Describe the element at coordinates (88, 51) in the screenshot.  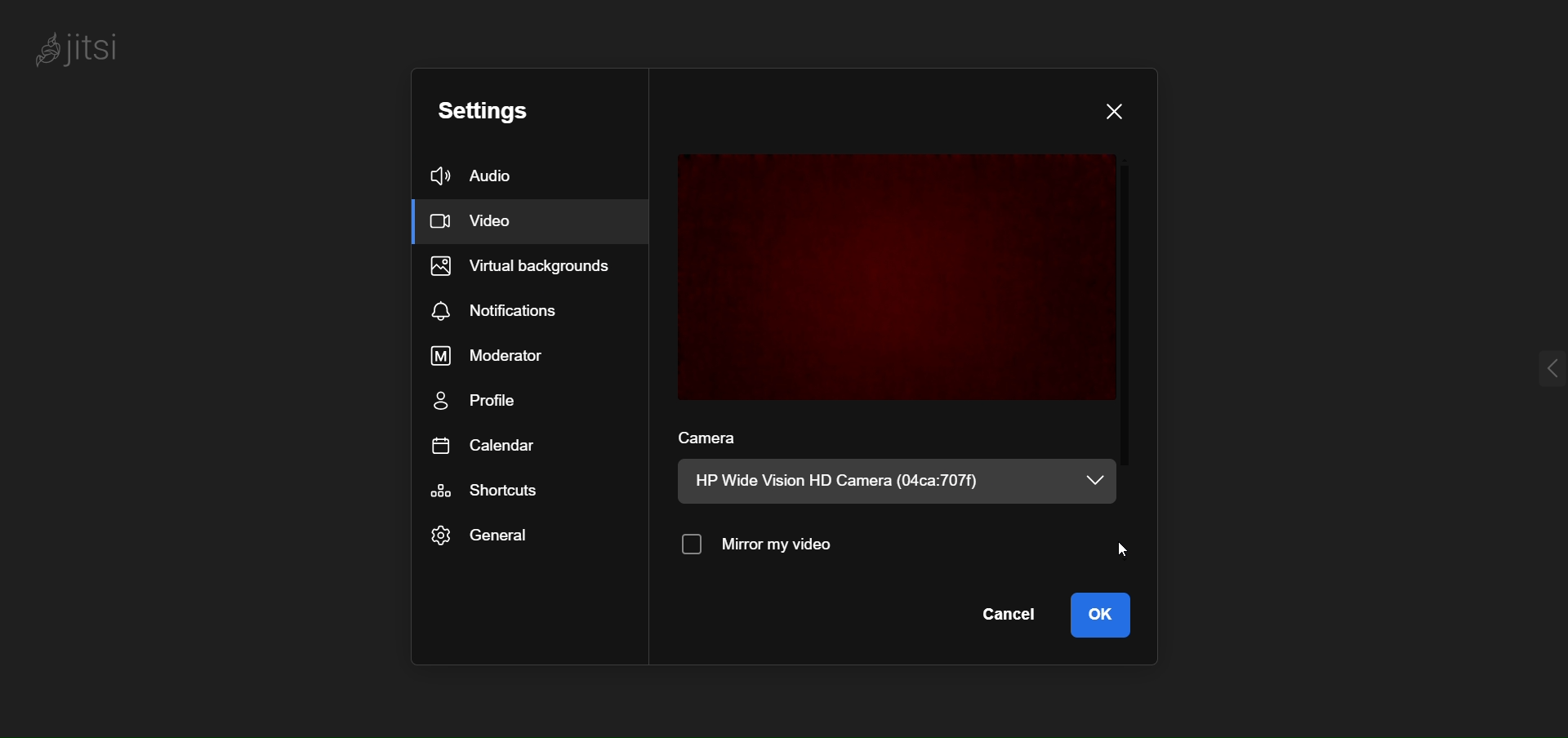
I see `jitsi` at that location.